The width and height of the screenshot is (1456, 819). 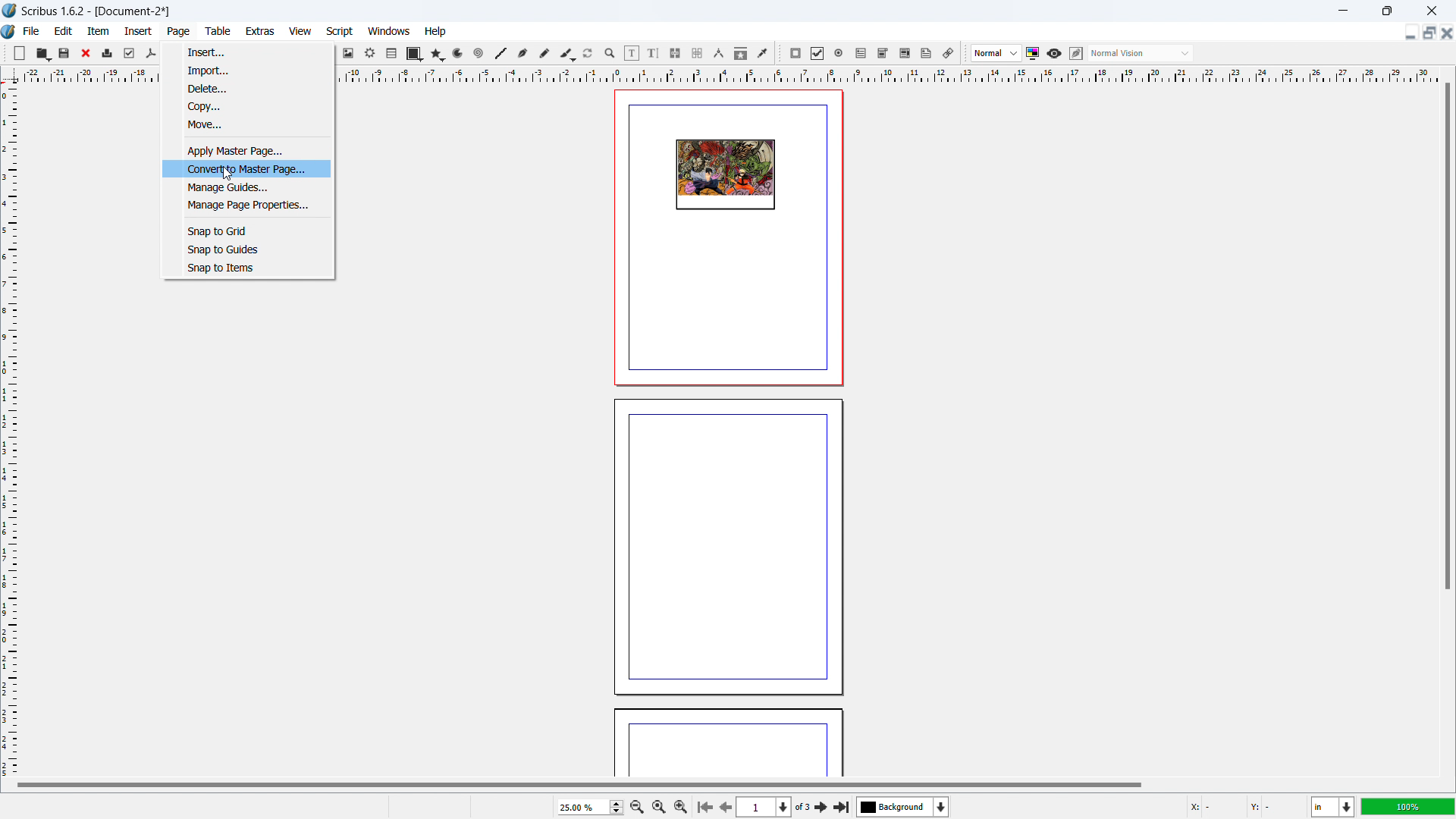 I want to click on pdf text field, so click(x=861, y=54).